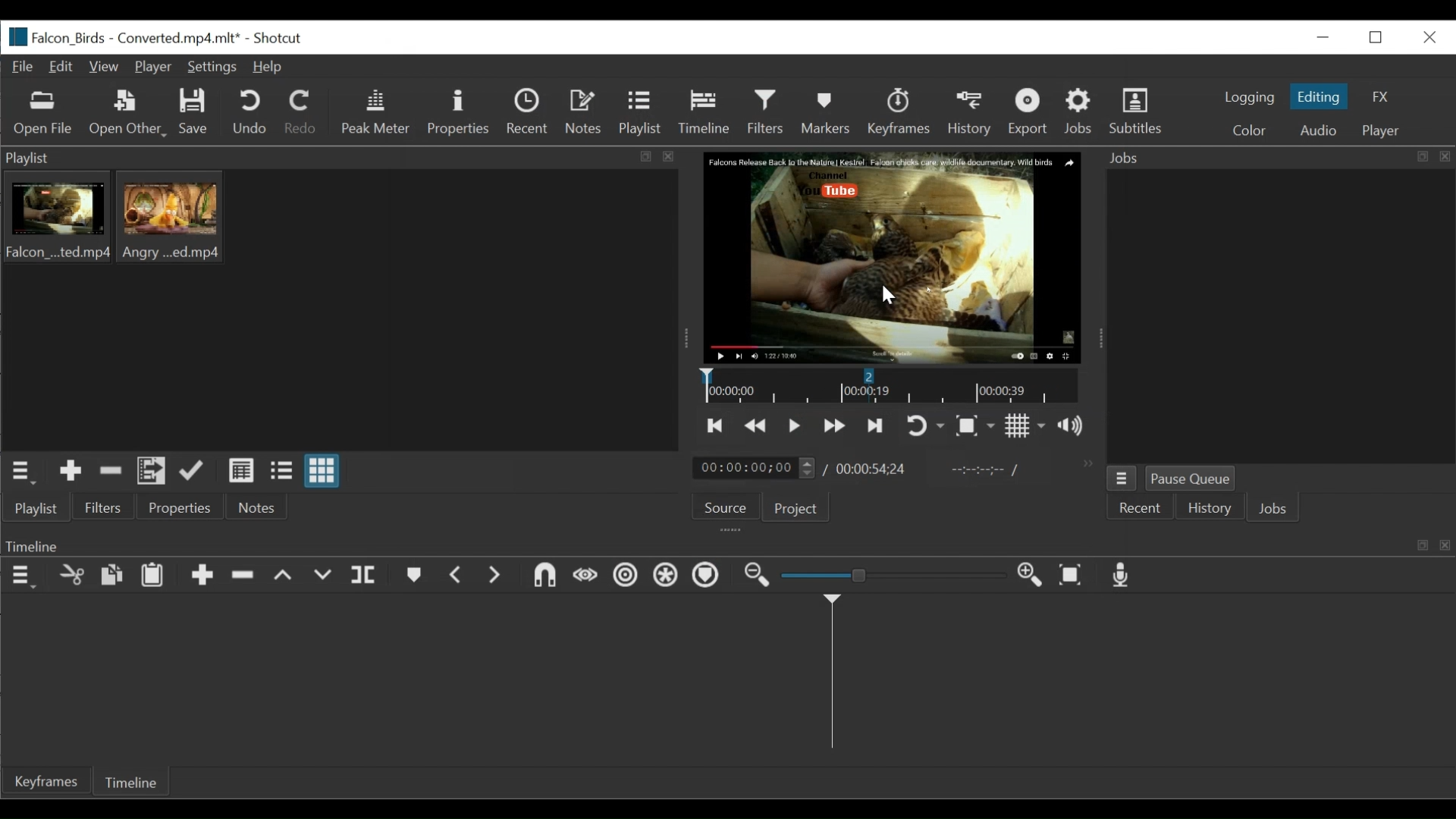 This screenshot has width=1456, height=819. Describe the element at coordinates (325, 471) in the screenshot. I see `View as icons` at that location.